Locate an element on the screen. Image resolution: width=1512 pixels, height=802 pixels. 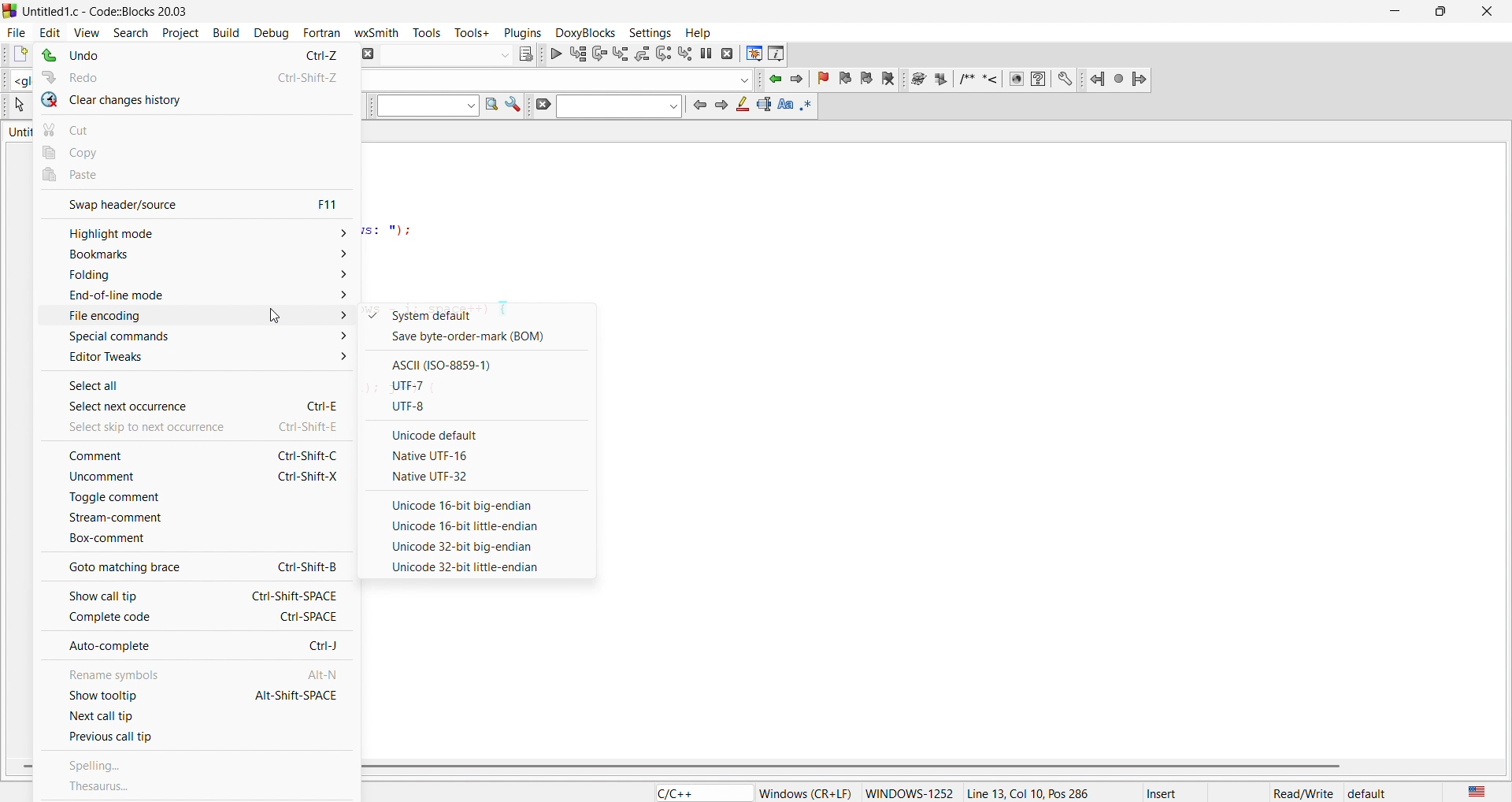
input  is located at coordinates (448, 57).